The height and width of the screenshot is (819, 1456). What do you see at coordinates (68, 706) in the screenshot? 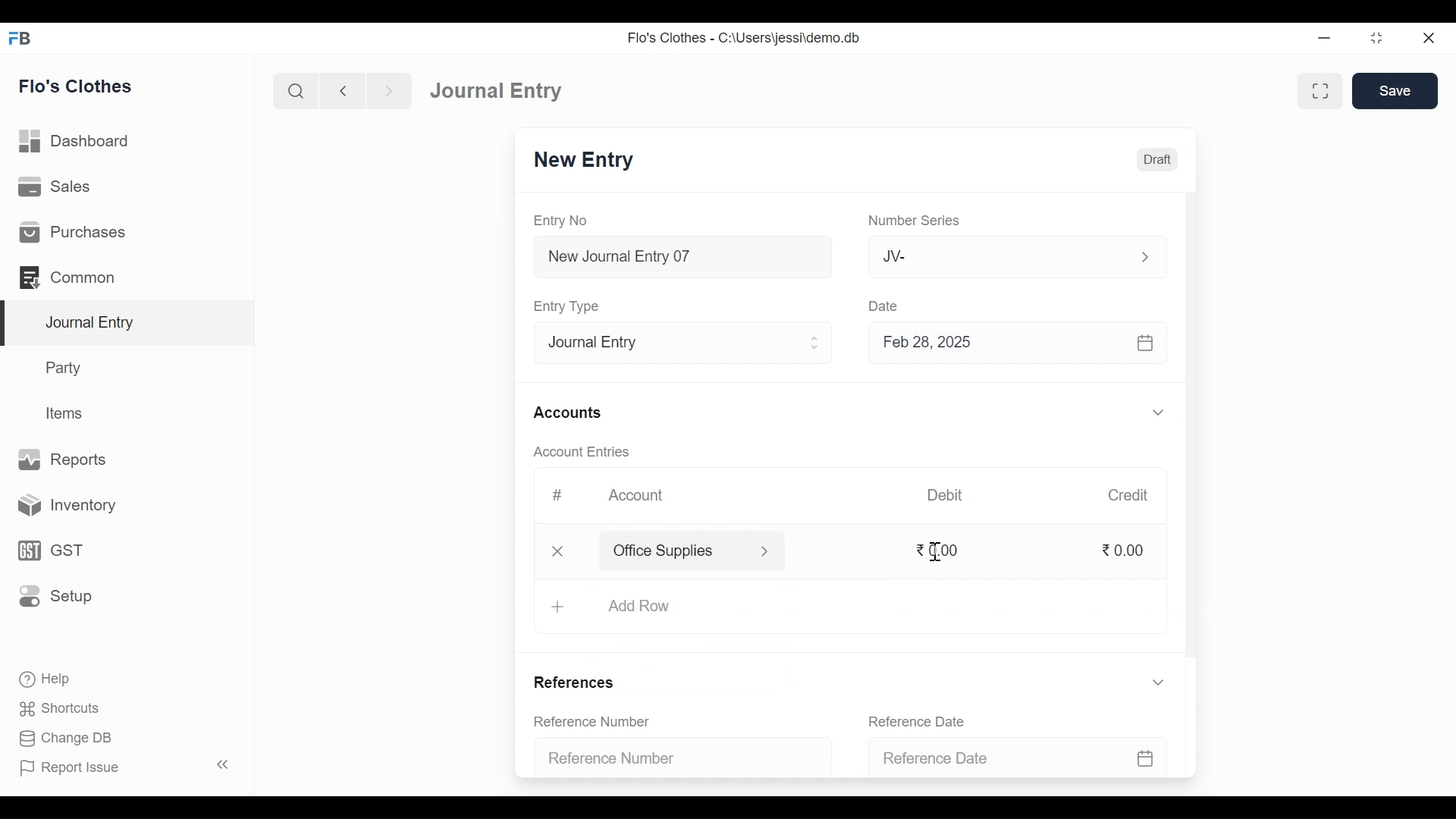
I see `Shortcuts` at bounding box center [68, 706].